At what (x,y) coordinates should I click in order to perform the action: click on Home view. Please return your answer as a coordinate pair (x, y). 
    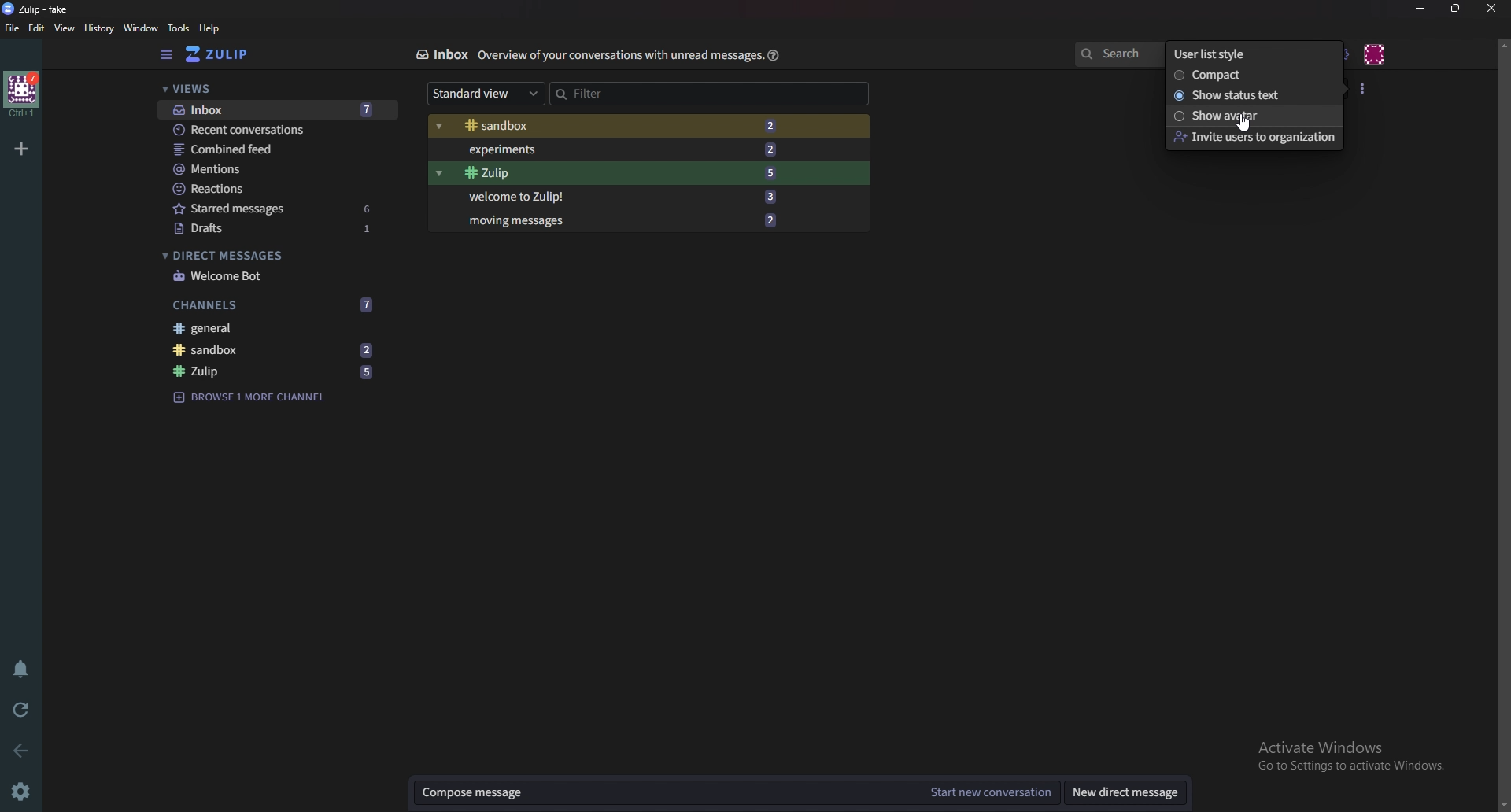
    Looking at the image, I should click on (222, 56).